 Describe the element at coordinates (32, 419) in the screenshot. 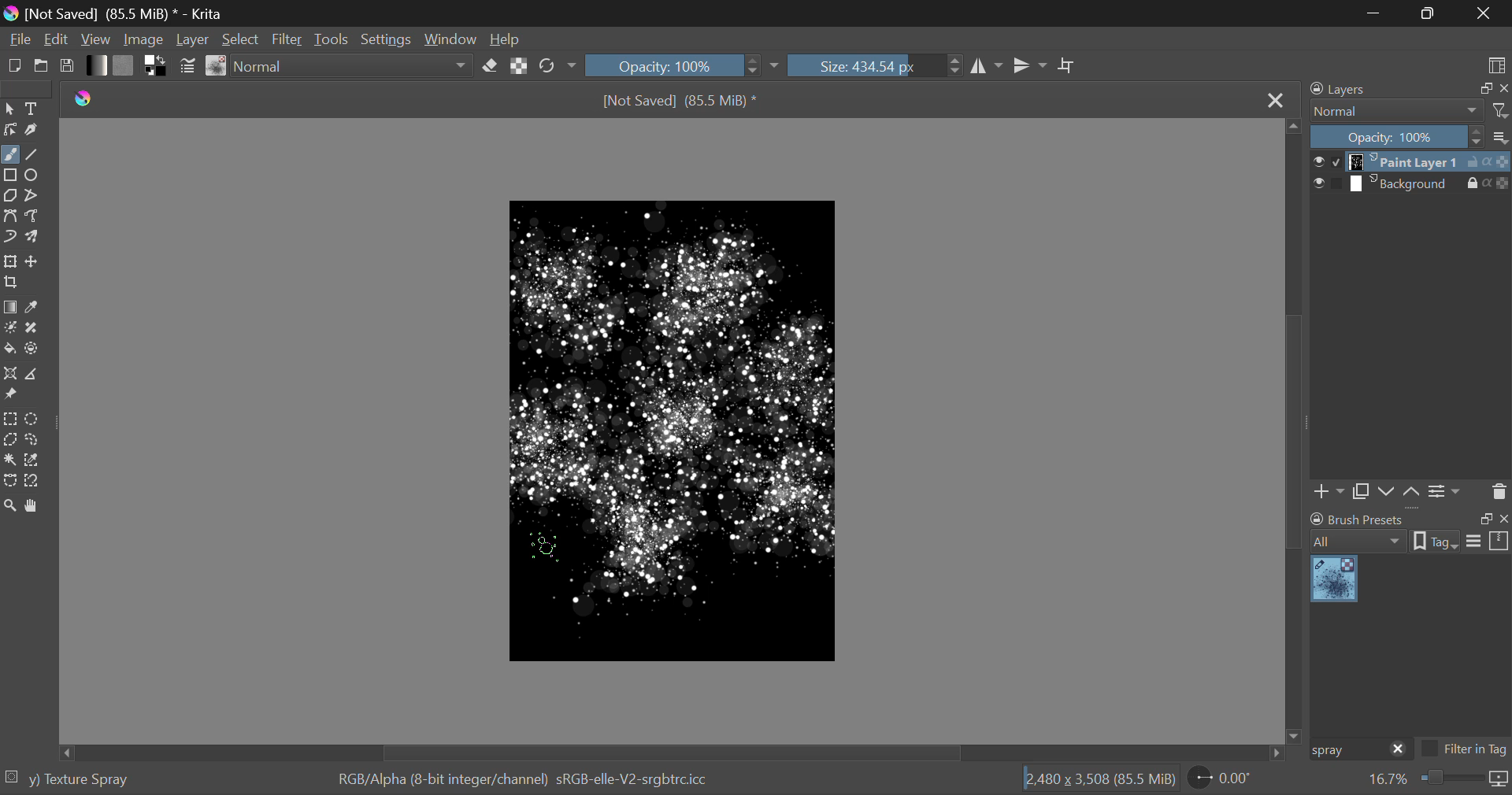

I see `Circular Selection` at that location.